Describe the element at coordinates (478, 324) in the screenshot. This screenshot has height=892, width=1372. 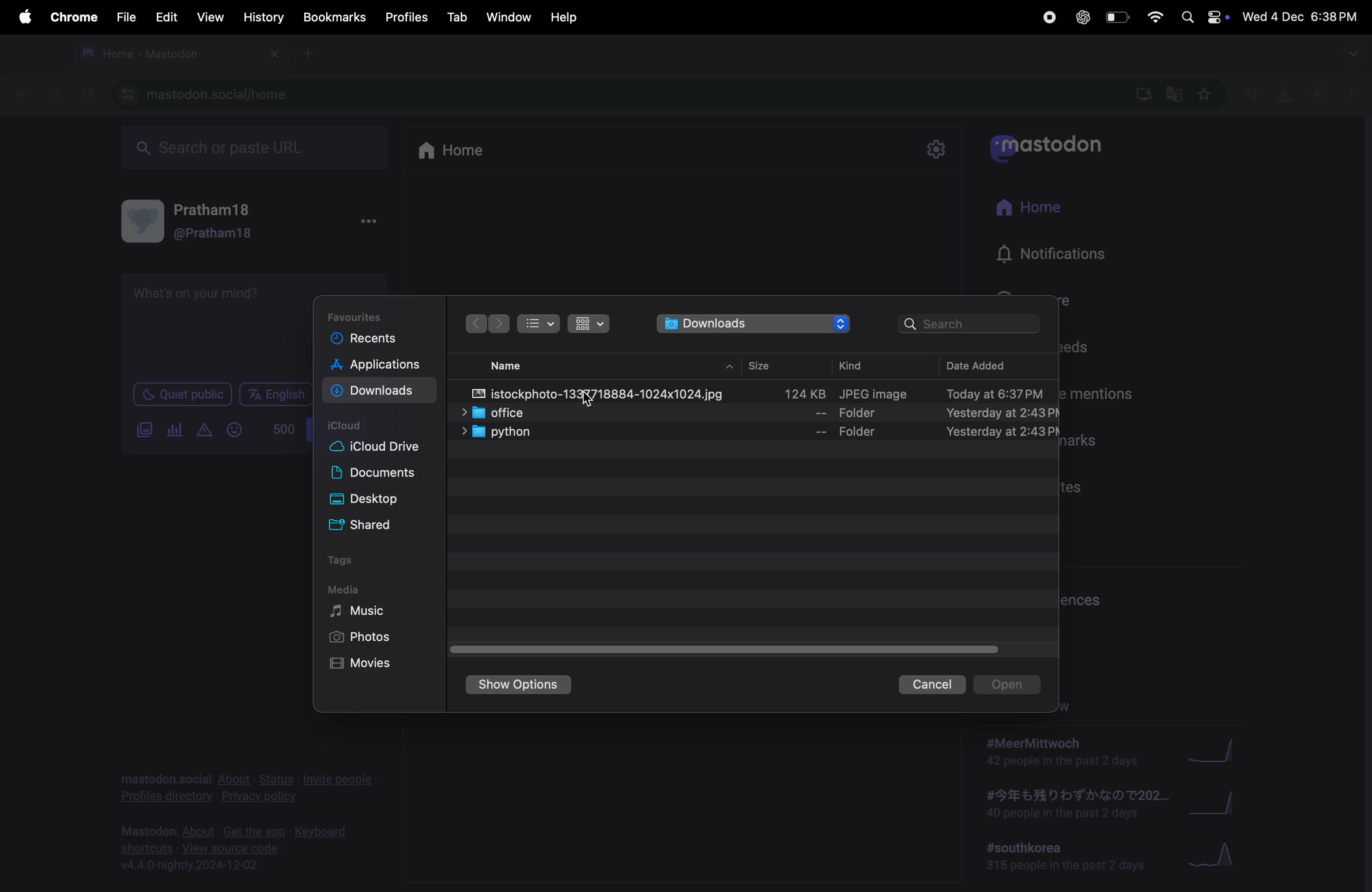
I see `back ward` at that location.